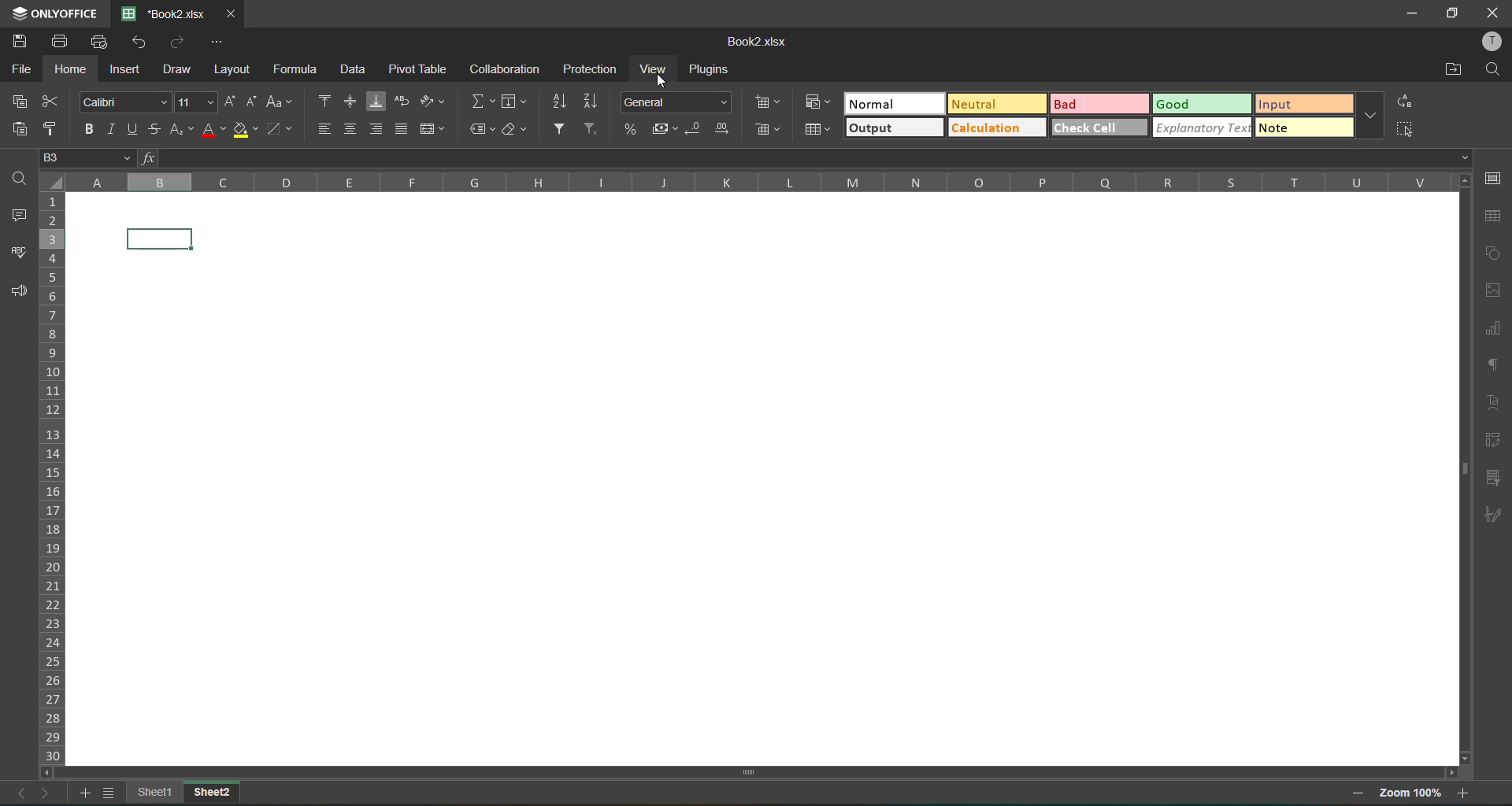 This screenshot has height=806, width=1512. Describe the element at coordinates (298, 70) in the screenshot. I see `formula` at that location.